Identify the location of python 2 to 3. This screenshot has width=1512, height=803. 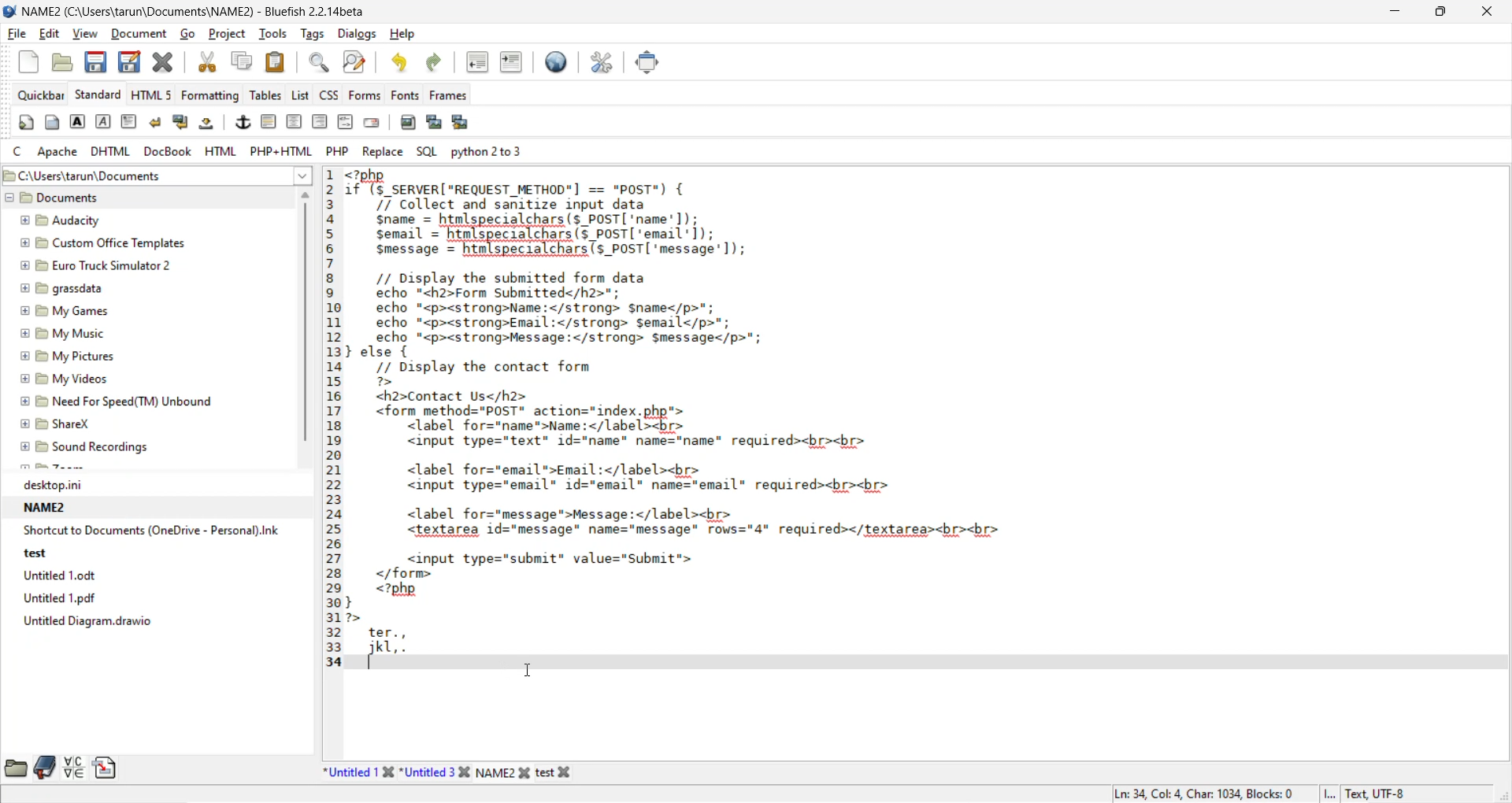
(501, 150).